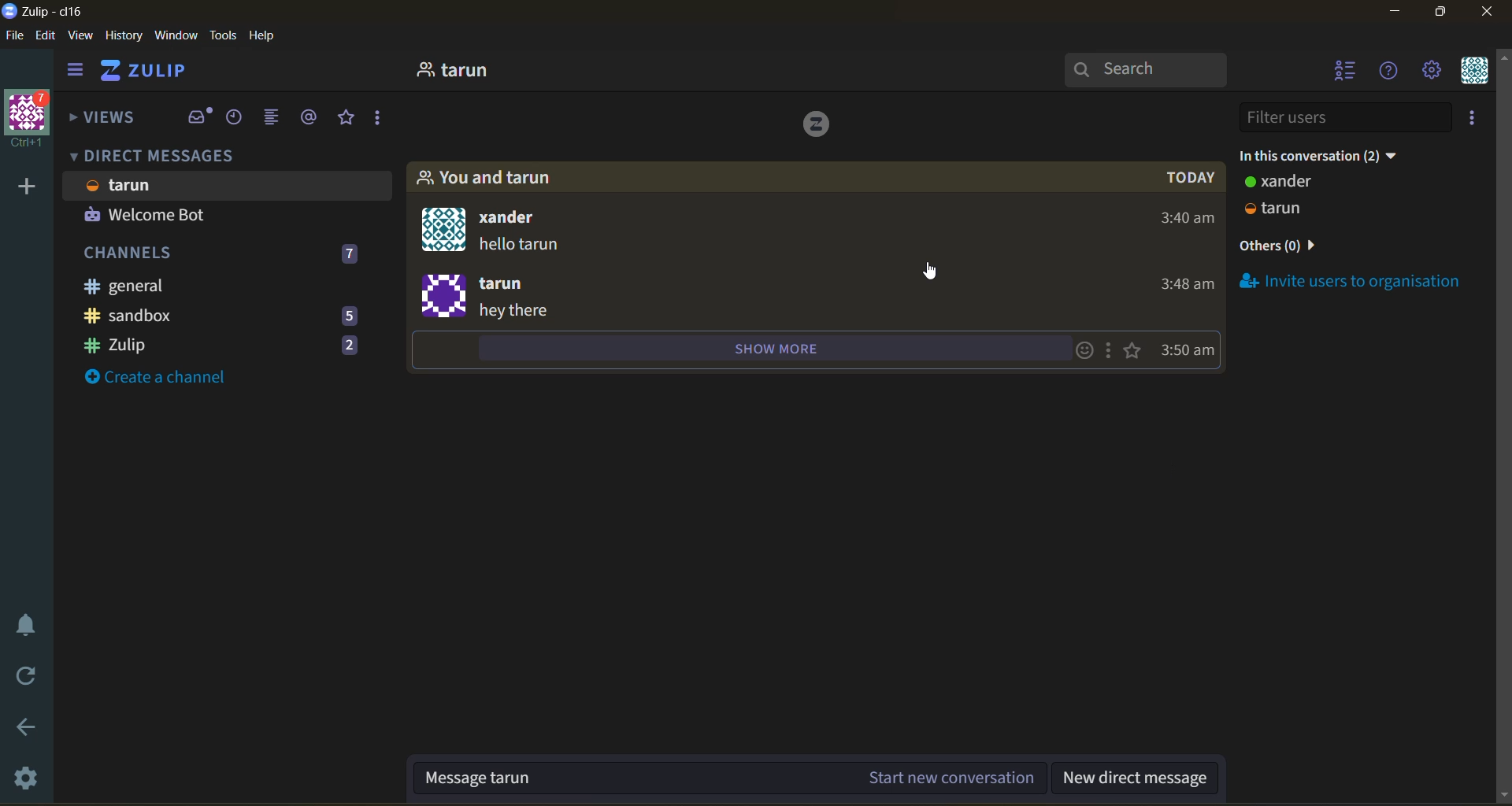 This screenshot has width=1512, height=806. What do you see at coordinates (1132, 352) in the screenshot?
I see `star this message` at bounding box center [1132, 352].